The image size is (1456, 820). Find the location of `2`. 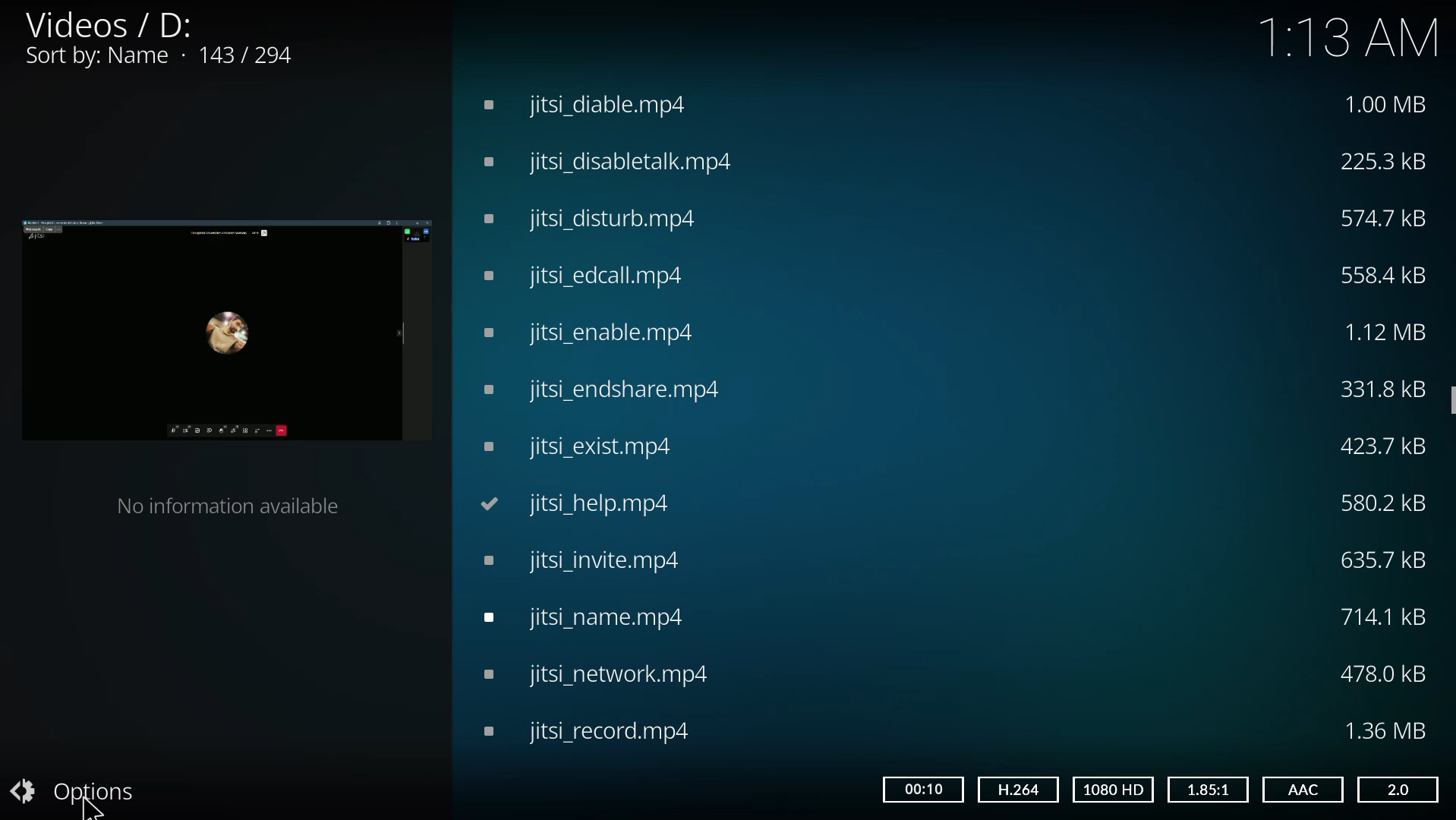

2 is located at coordinates (1399, 789).